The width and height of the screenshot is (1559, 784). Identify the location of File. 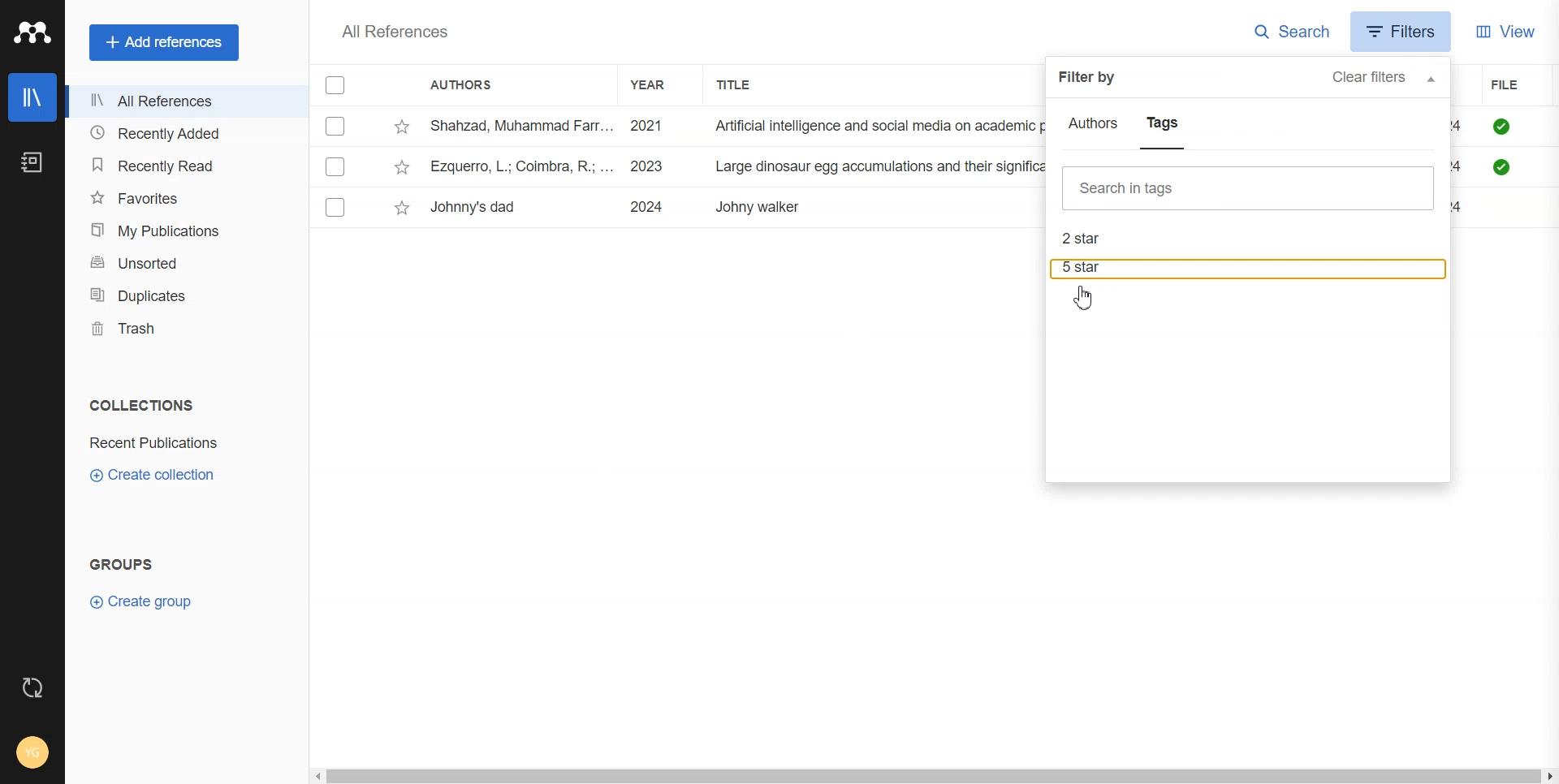
(1524, 85).